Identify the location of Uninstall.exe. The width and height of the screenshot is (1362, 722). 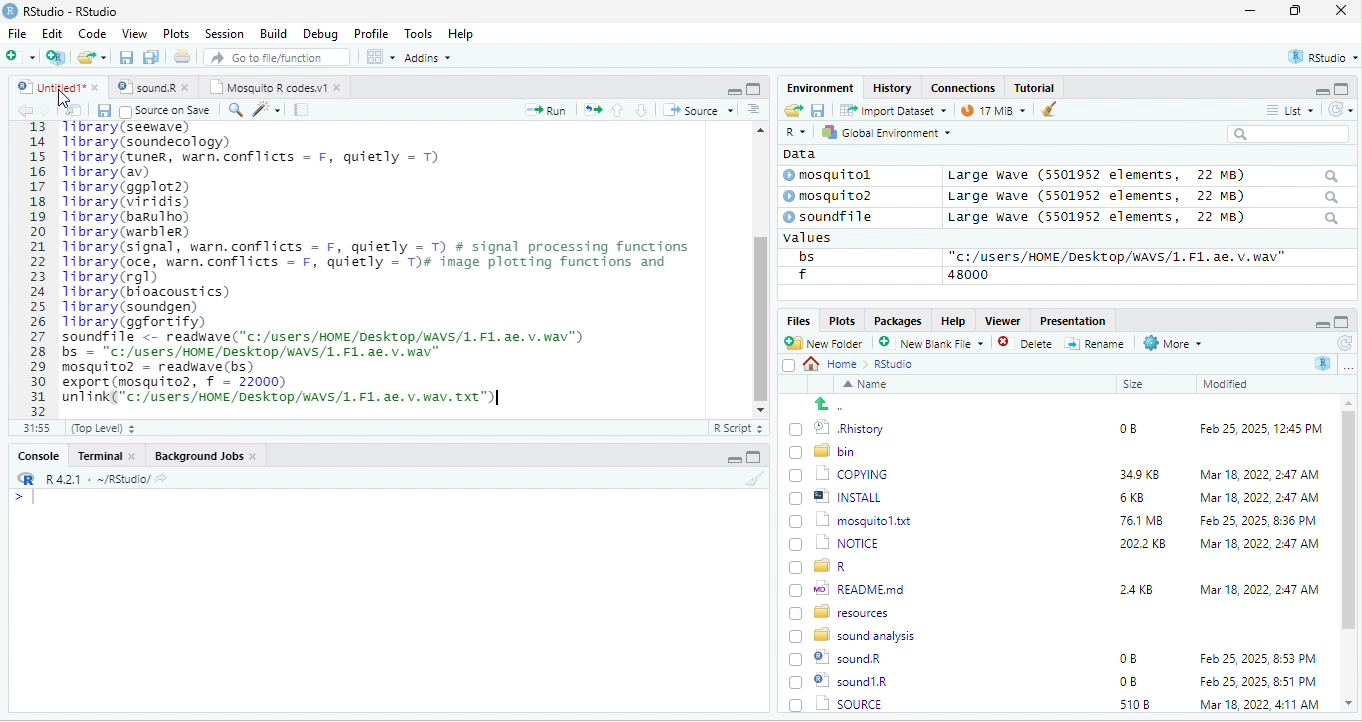
(849, 703).